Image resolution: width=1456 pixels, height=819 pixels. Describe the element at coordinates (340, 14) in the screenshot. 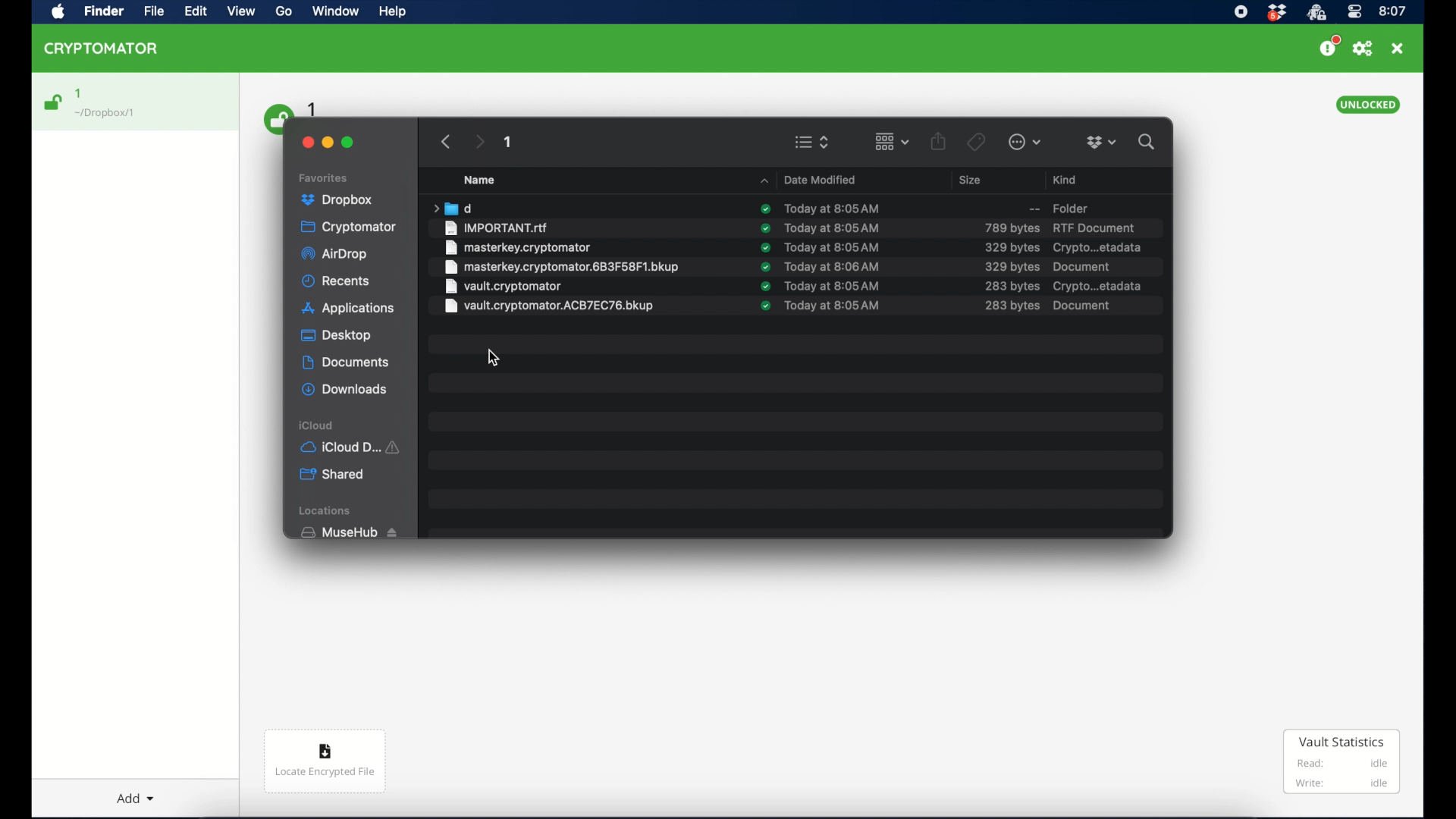

I see `Window` at that location.